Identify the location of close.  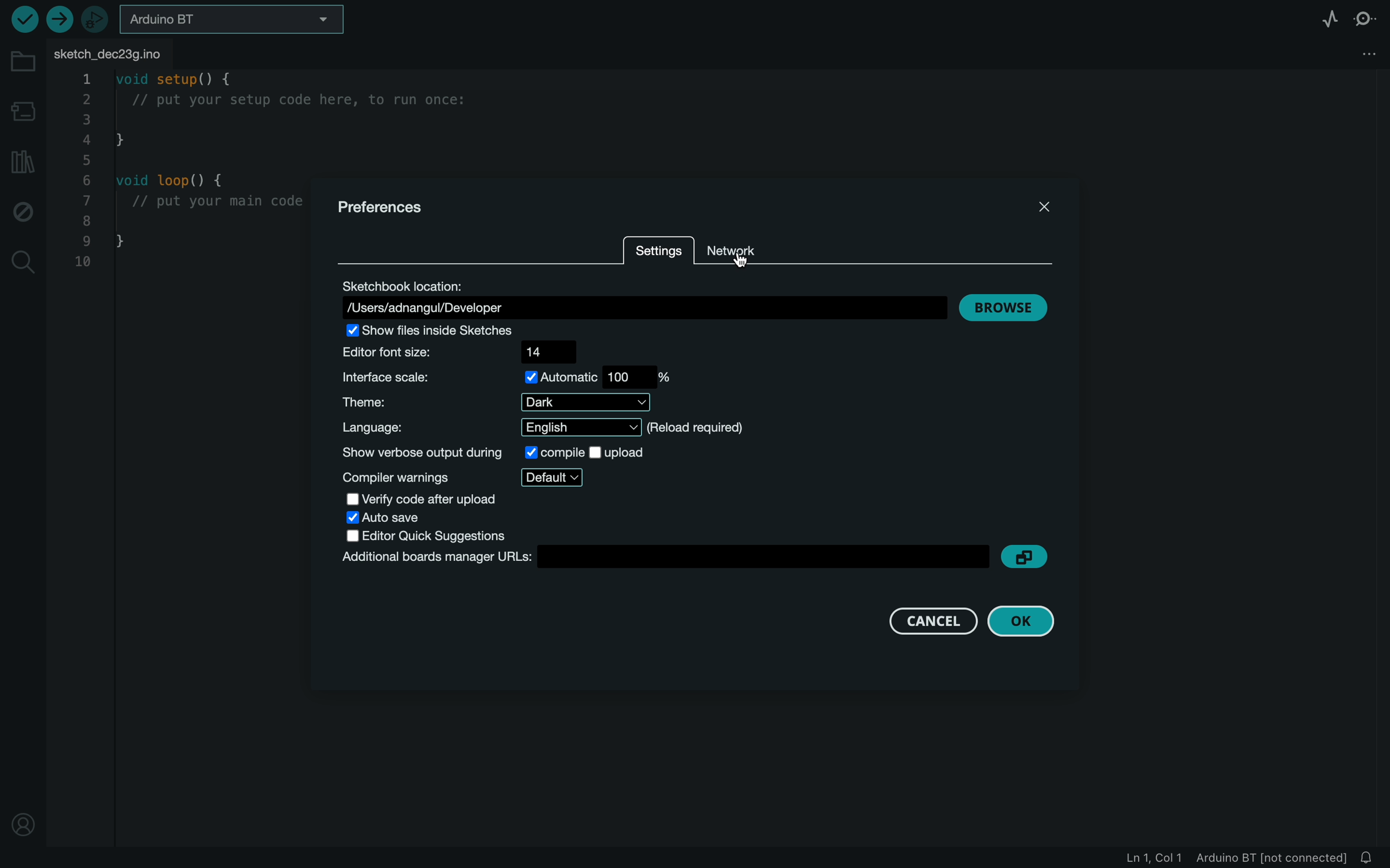
(1026, 203).